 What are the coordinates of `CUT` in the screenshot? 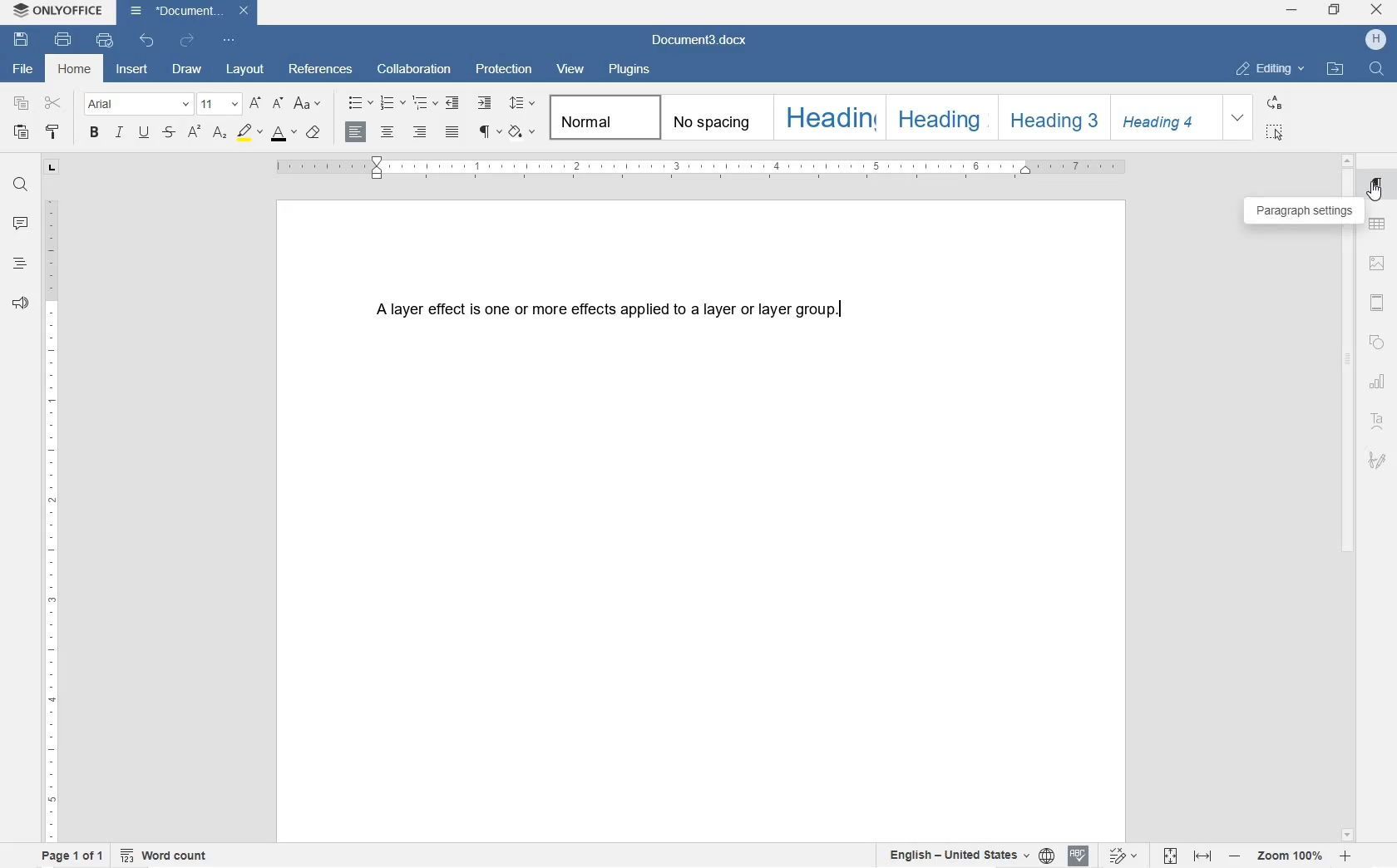 It's located at (56, 105).